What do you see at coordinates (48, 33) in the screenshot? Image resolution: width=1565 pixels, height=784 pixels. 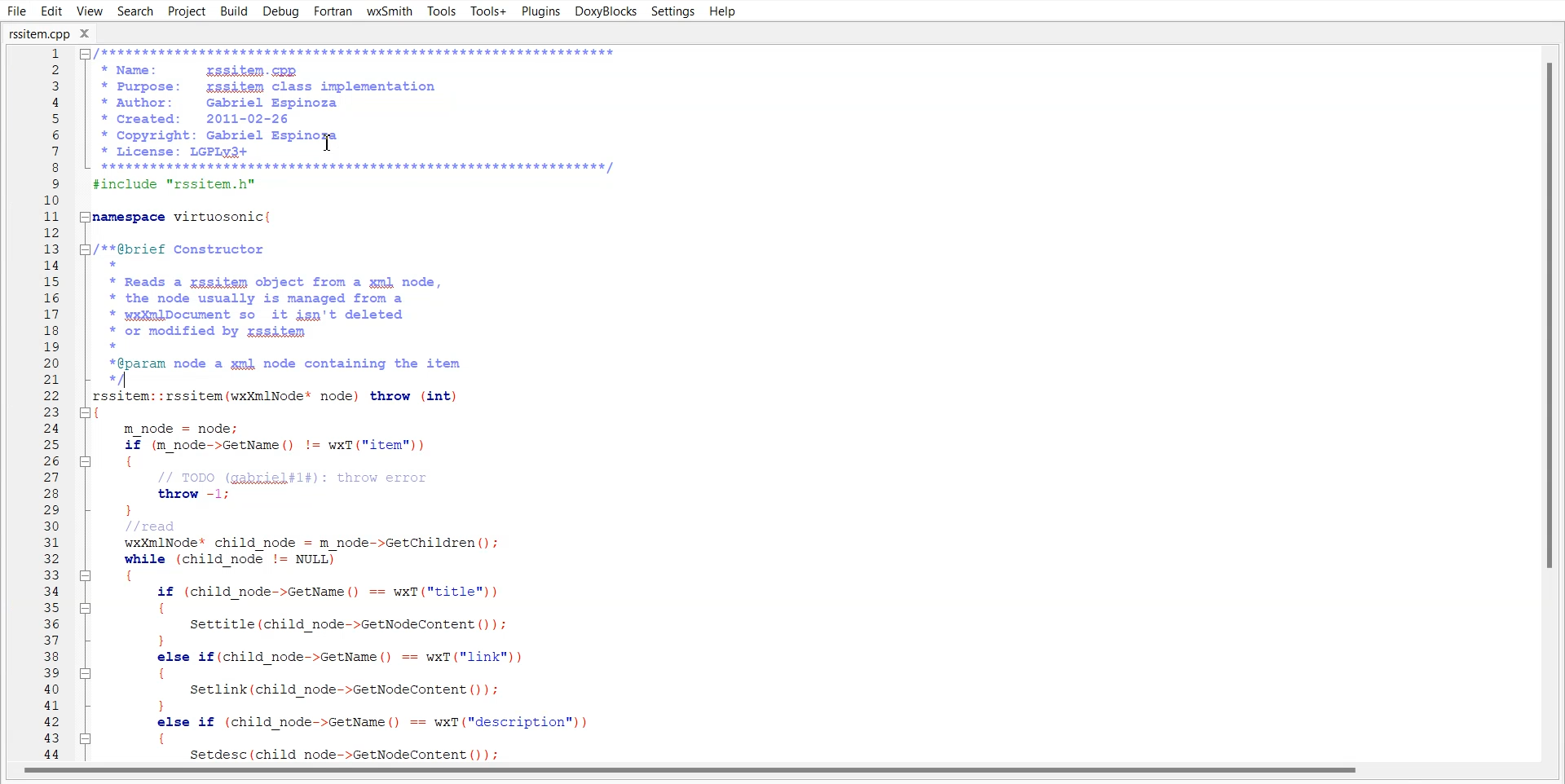 I see `rssitem.cpp` at bounding box center [48, 33].